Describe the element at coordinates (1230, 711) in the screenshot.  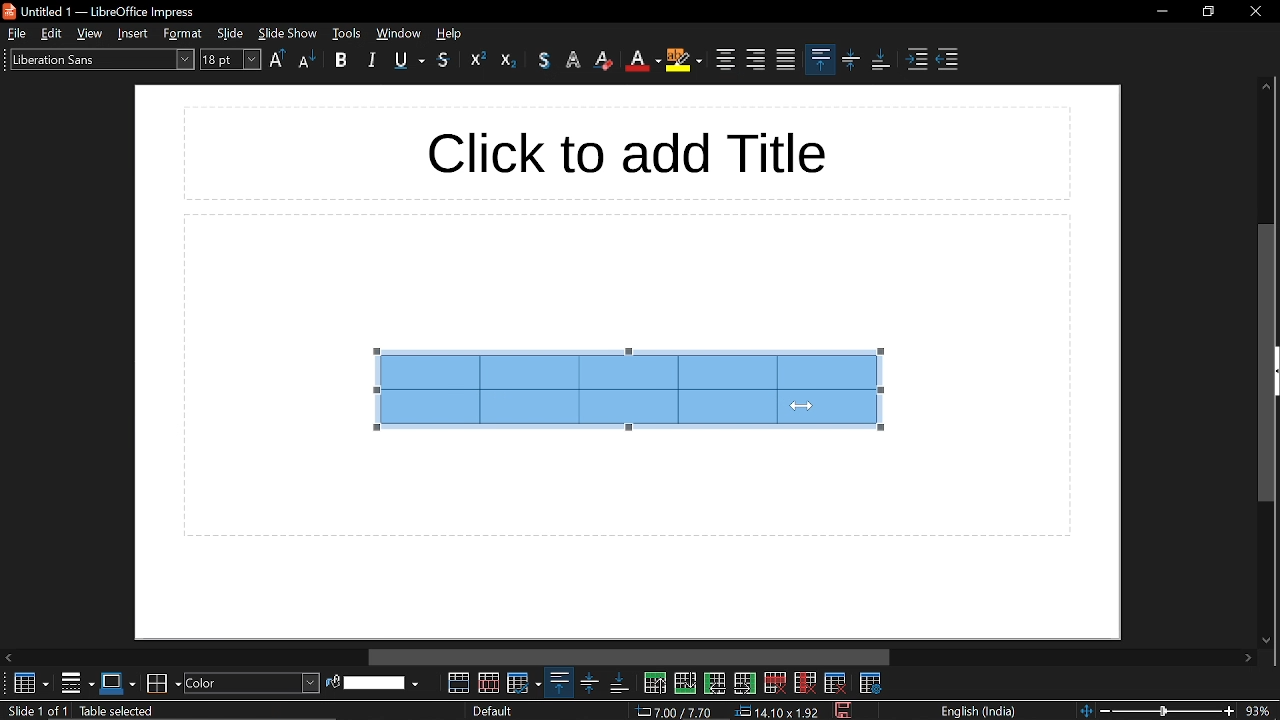
I see `zoom in` at that location.